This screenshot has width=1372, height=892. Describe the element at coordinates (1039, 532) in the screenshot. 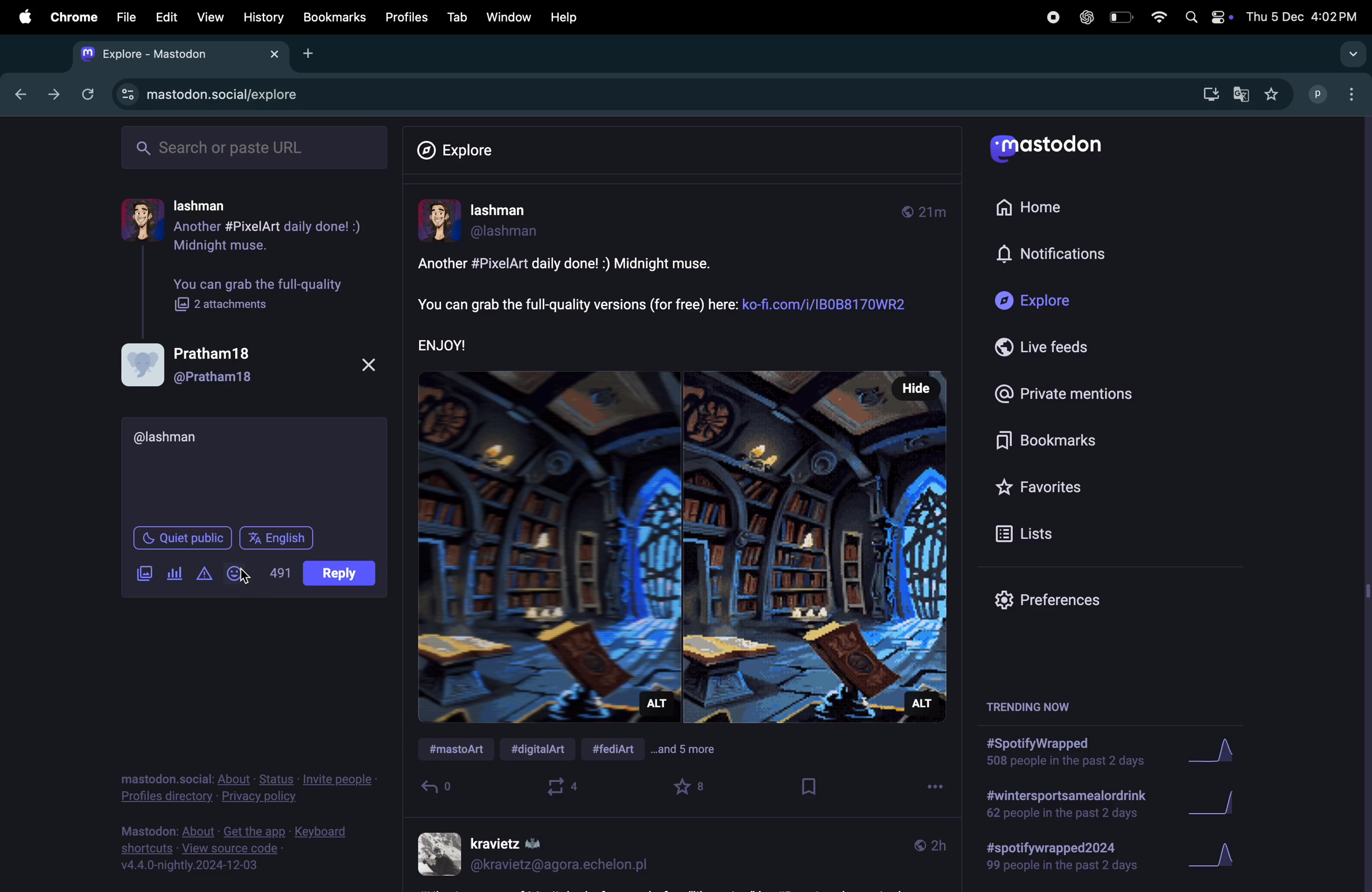

I see `lists` at that location.